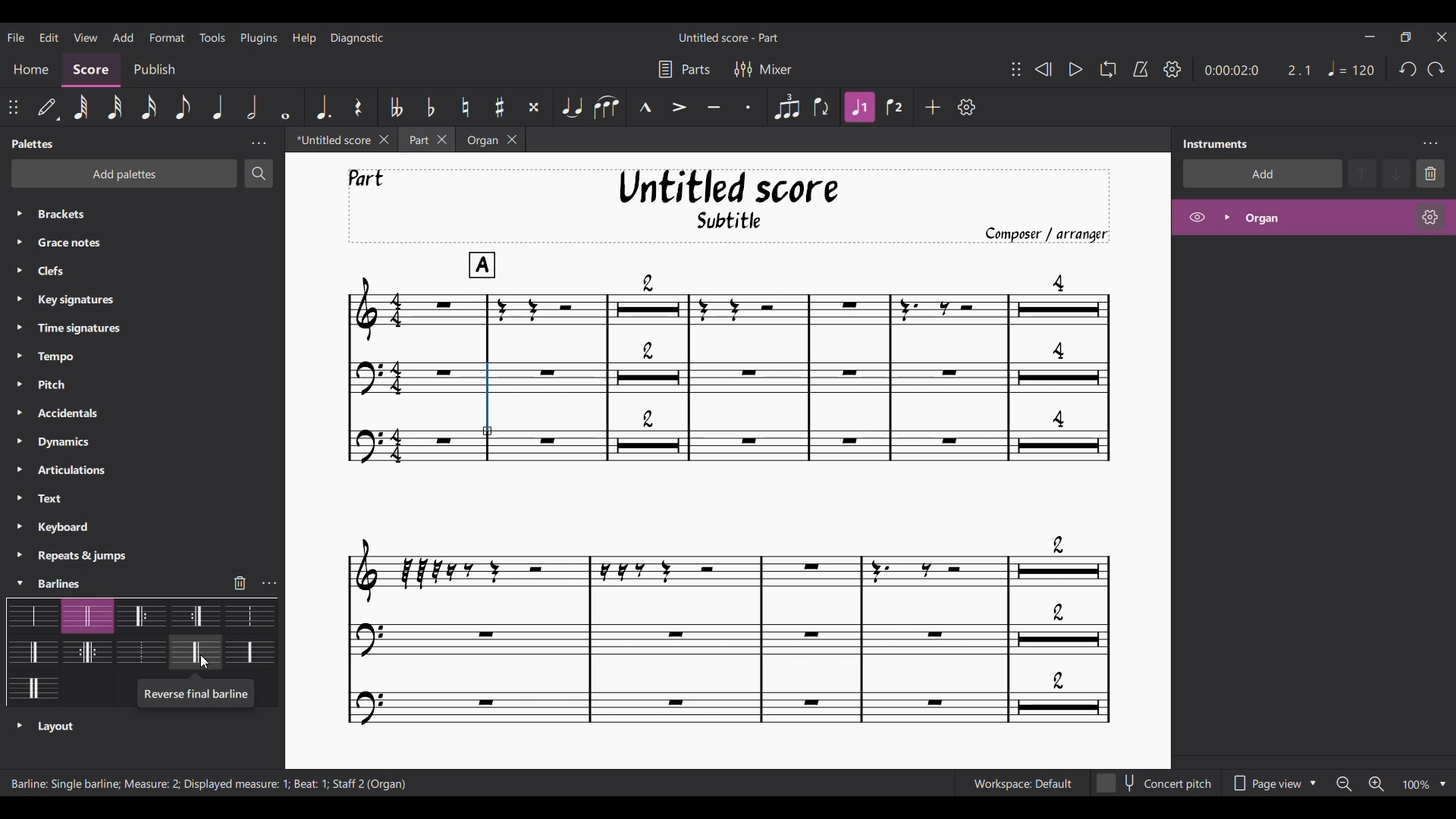 This screenshot has width=1456, height=819. Describe the element at coordinates (714, 107) in the screenshot. I see `Tenuto` at that location.